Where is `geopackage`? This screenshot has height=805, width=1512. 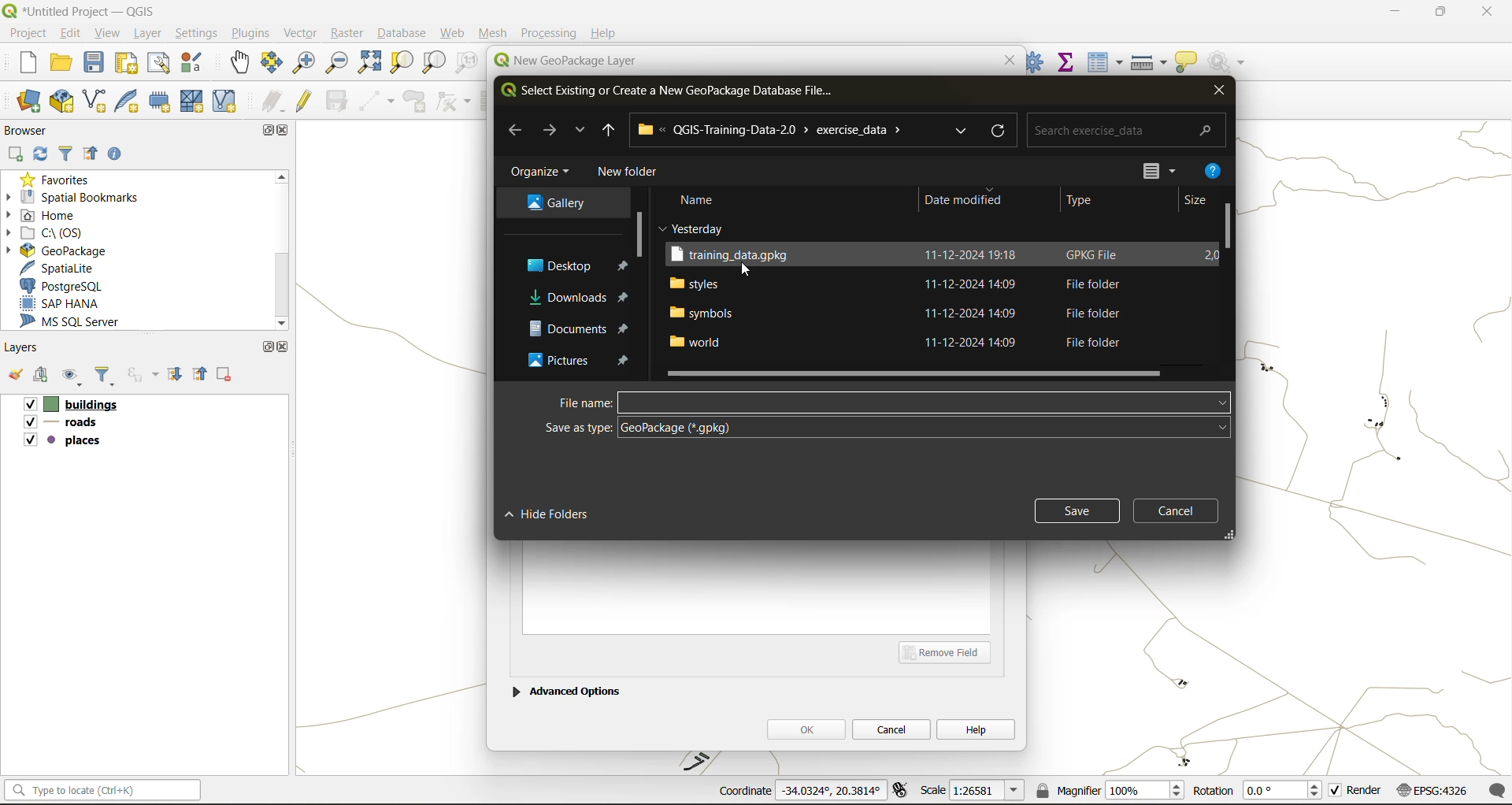
geopackage is located at coordinates (55, 249).